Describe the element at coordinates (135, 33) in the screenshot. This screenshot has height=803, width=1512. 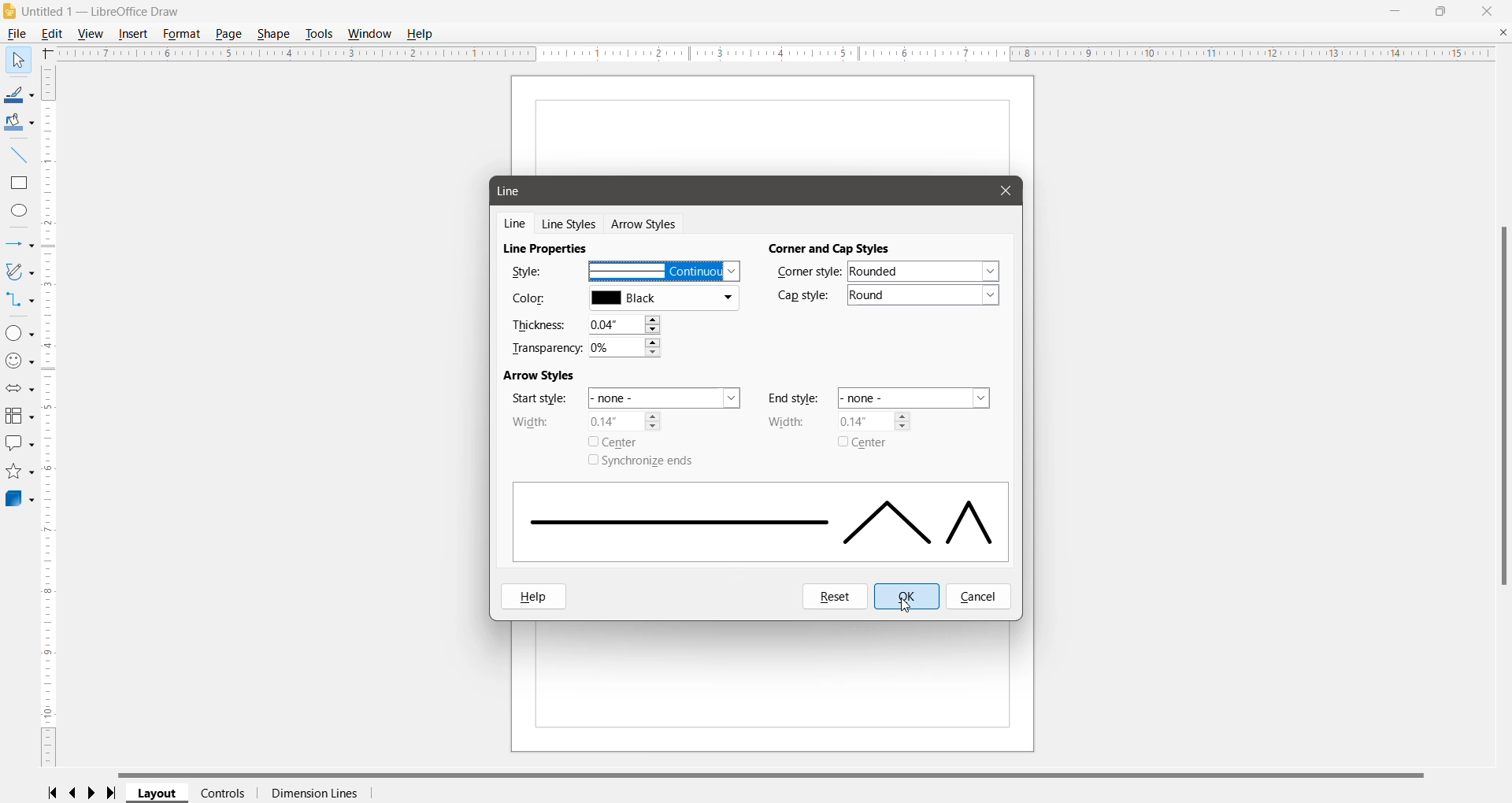
I see `Insert` at that location.